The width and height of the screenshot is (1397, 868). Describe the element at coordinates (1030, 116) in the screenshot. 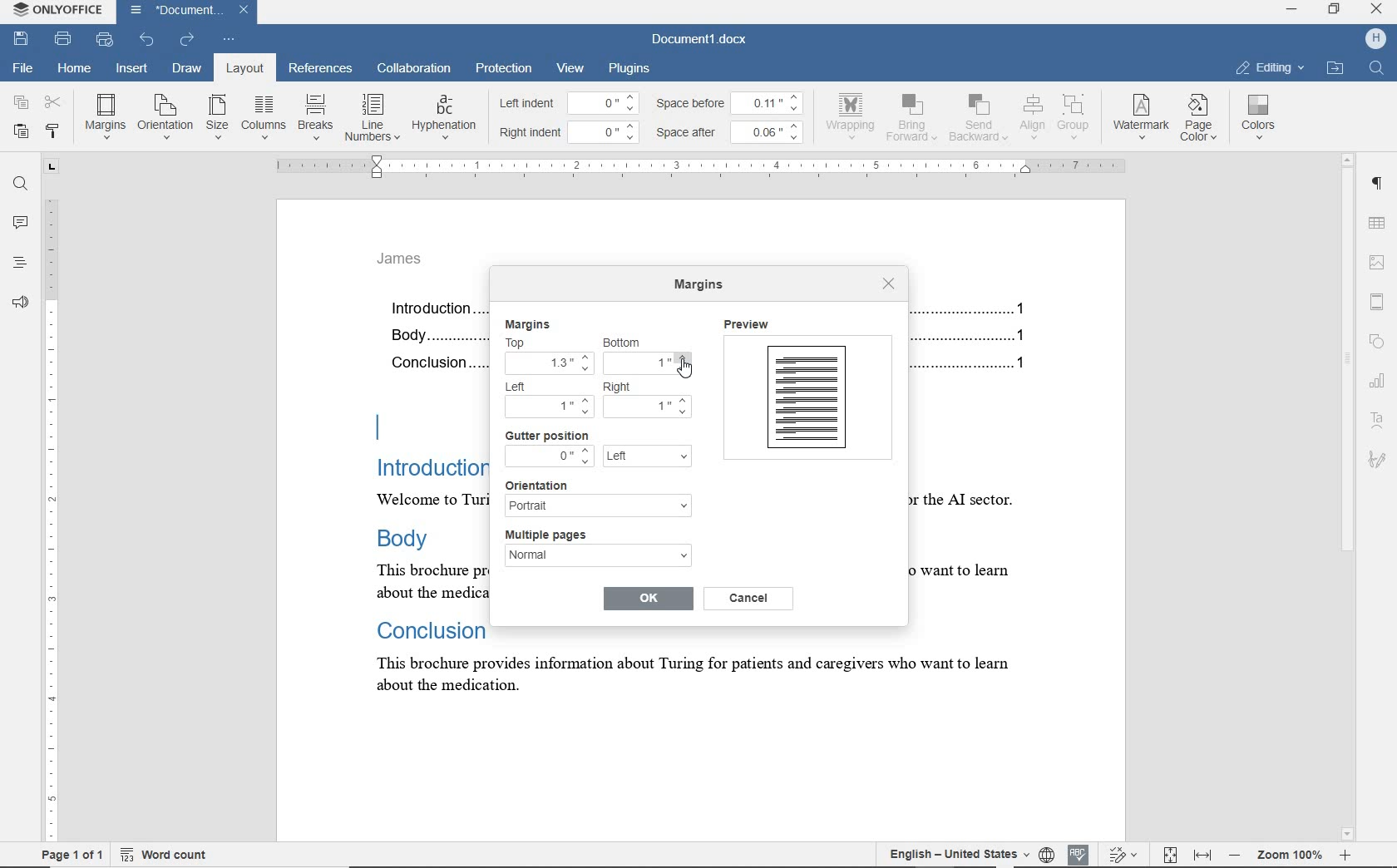

I see `align` at that location.